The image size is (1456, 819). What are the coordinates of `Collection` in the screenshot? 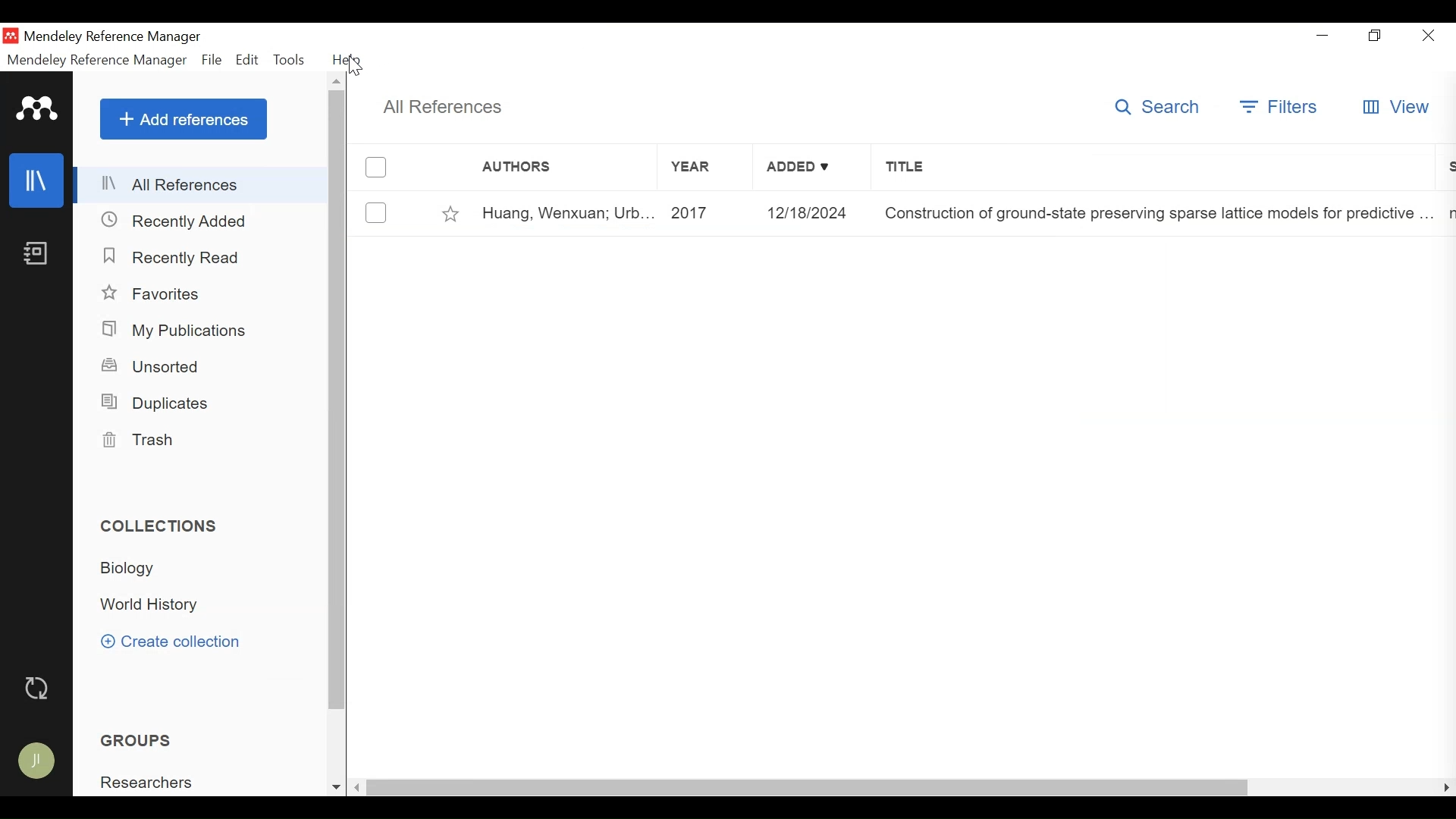 It's located at (149, 606).